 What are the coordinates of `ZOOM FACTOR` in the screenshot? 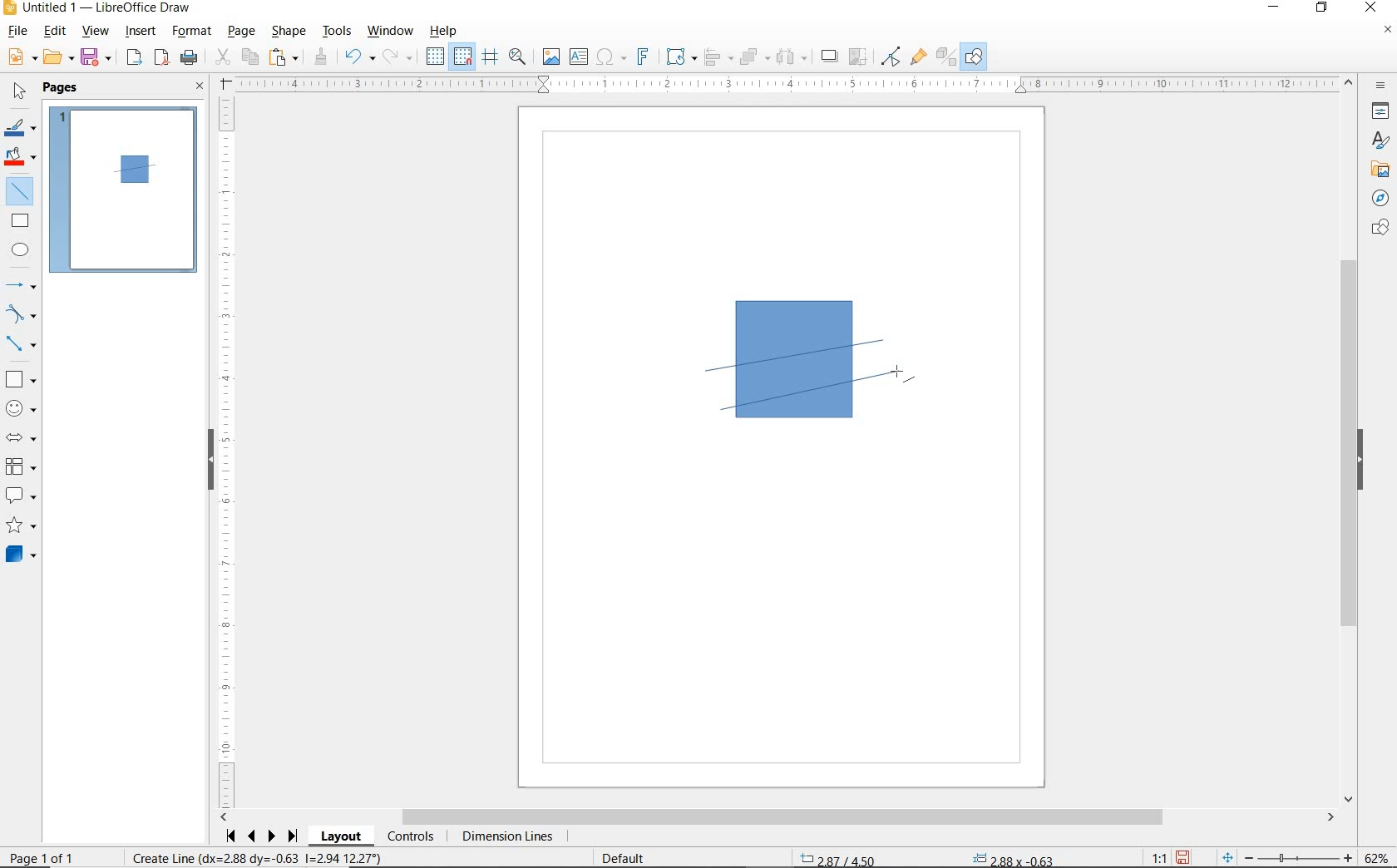 It's located at (1375, 858).